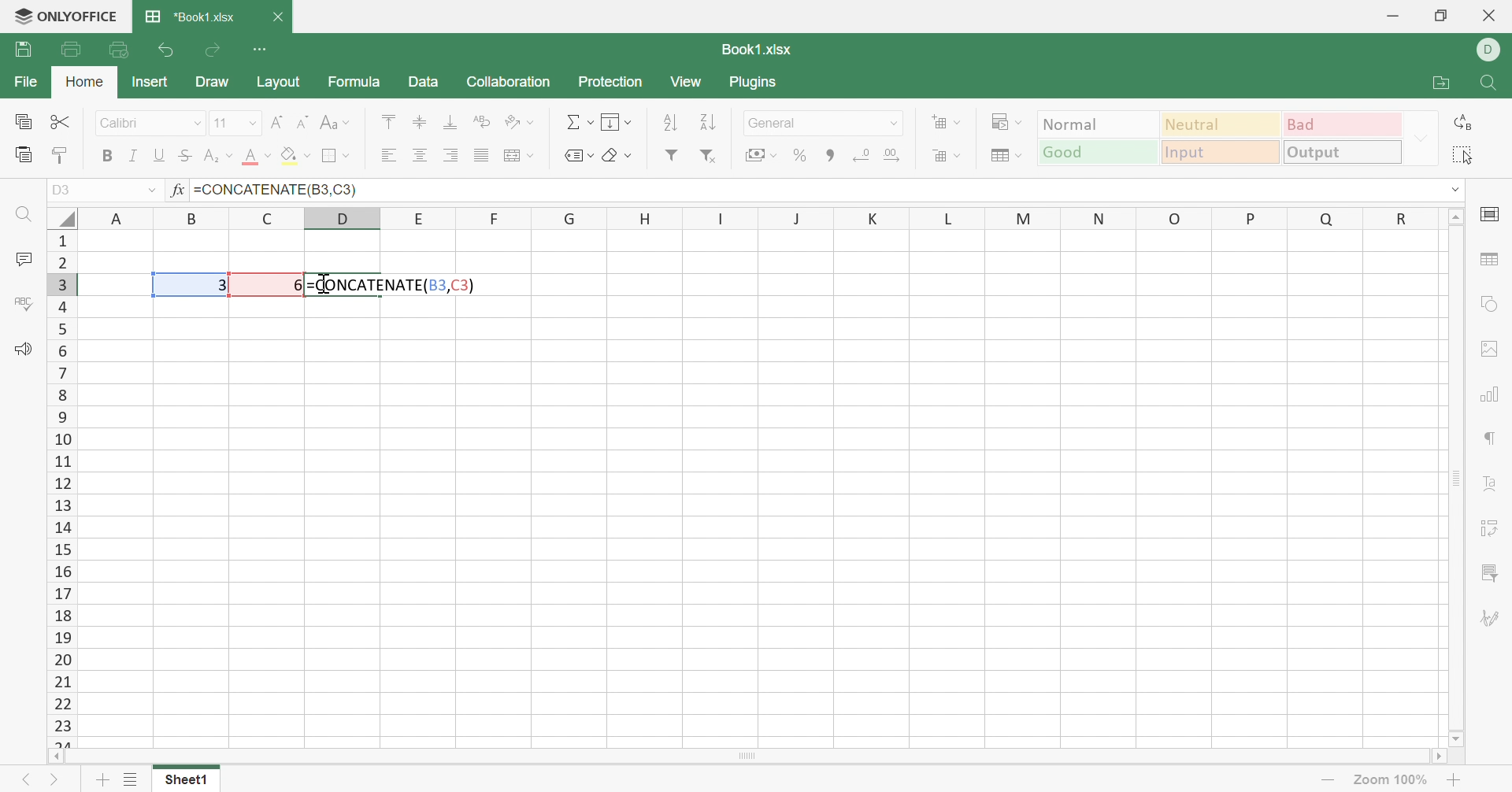  What do you see at coordinates (279, 81) in the screenshot?
I see `Layout` at bounding box center [279, 81].